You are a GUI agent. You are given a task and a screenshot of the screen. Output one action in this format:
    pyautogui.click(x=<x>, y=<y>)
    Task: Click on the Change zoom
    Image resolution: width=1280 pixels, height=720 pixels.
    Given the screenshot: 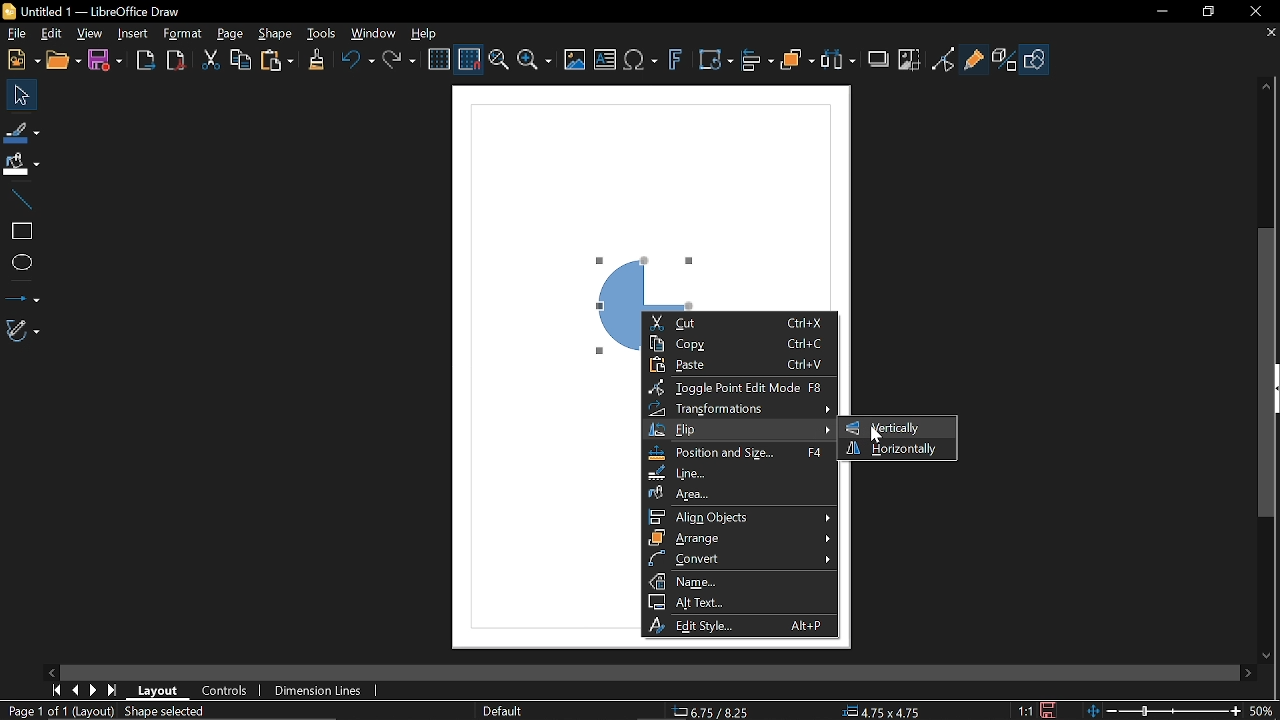 What is the action you would take?
    pyautogui.click(x=1161, y=710)
    